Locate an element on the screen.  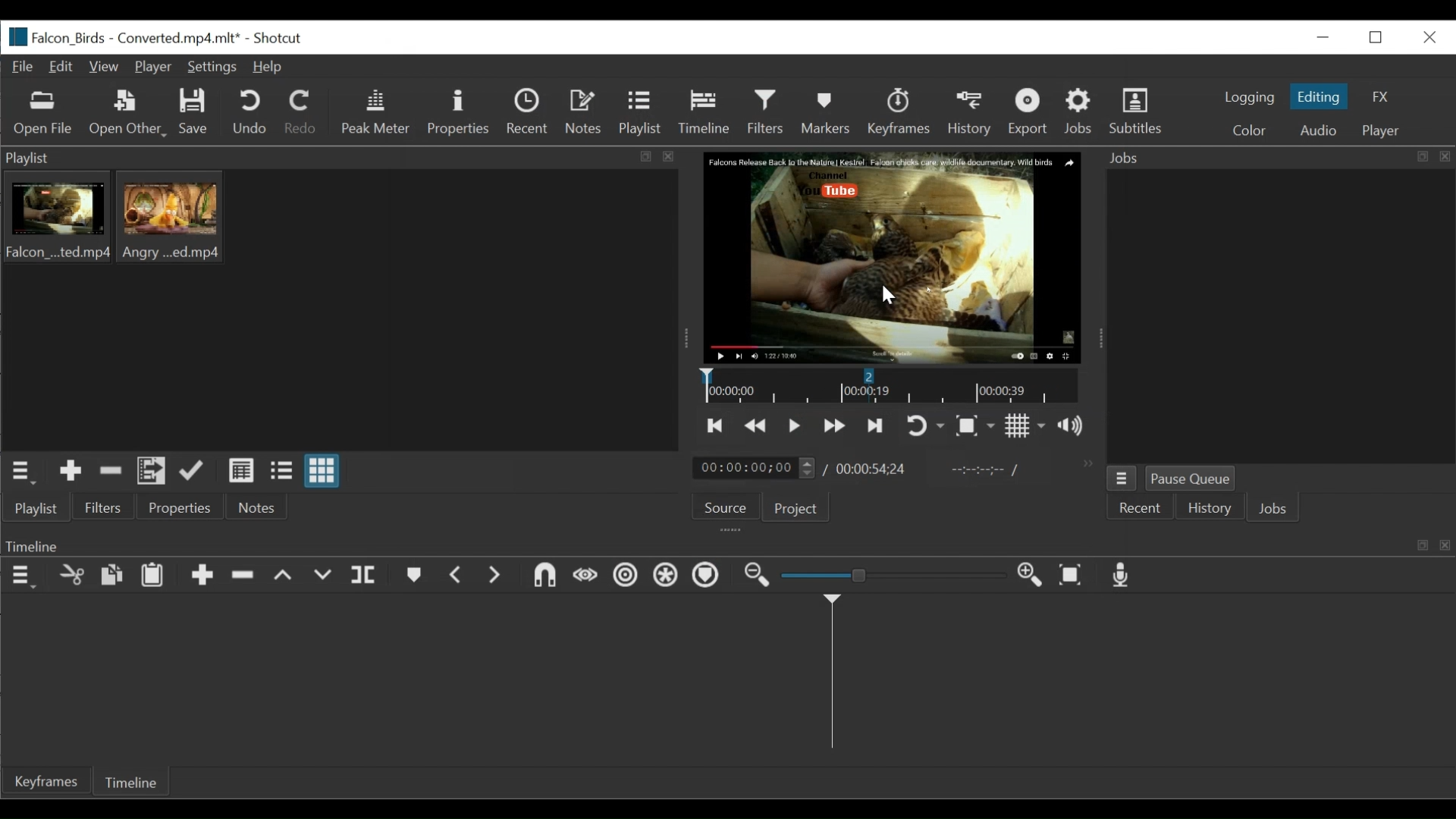
Peak Meter is located at coordinates (375, 113).